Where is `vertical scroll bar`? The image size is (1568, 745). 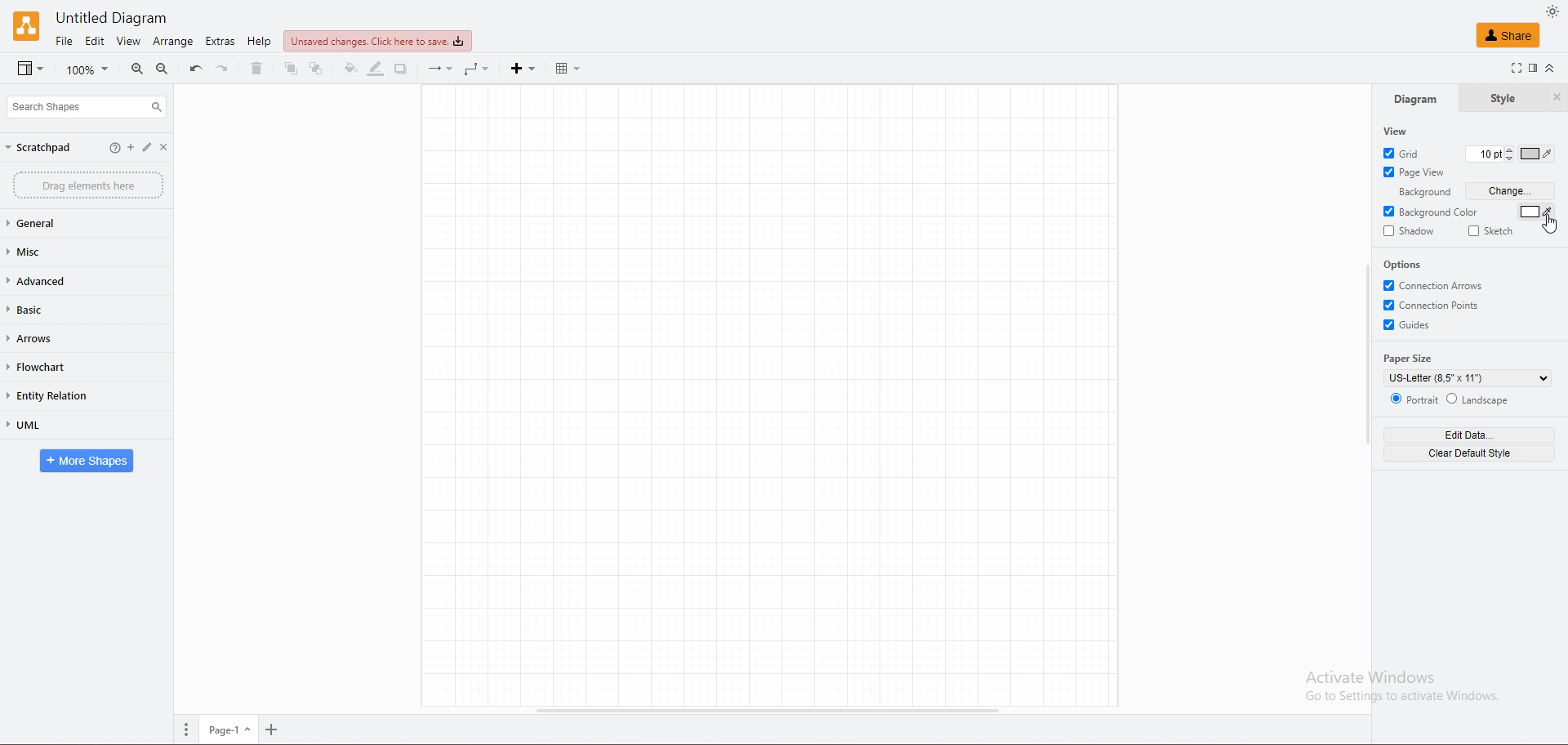 vertical scroll bar is located at coordinates (1368, 354).